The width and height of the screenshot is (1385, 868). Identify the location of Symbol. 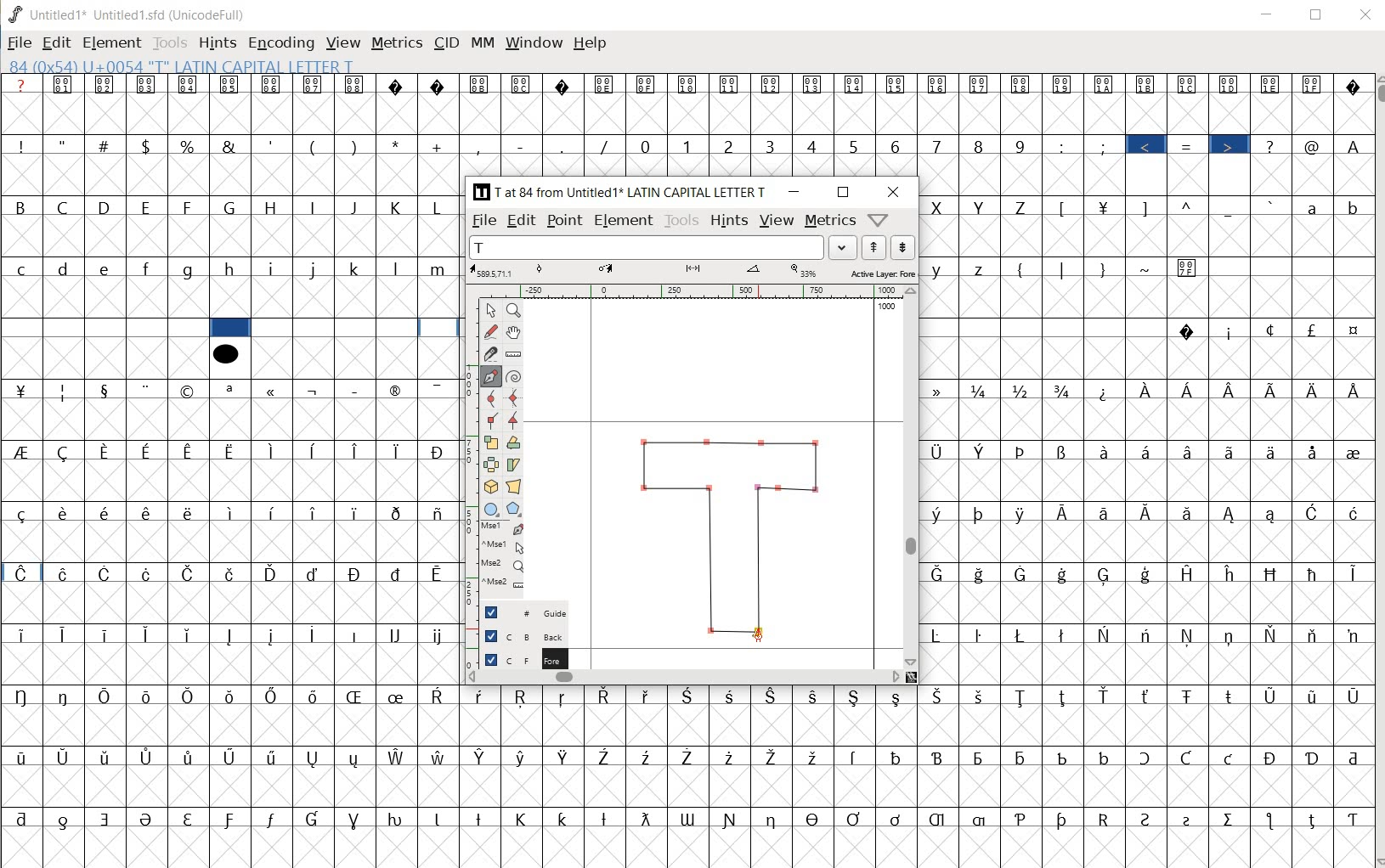
(940, 634).